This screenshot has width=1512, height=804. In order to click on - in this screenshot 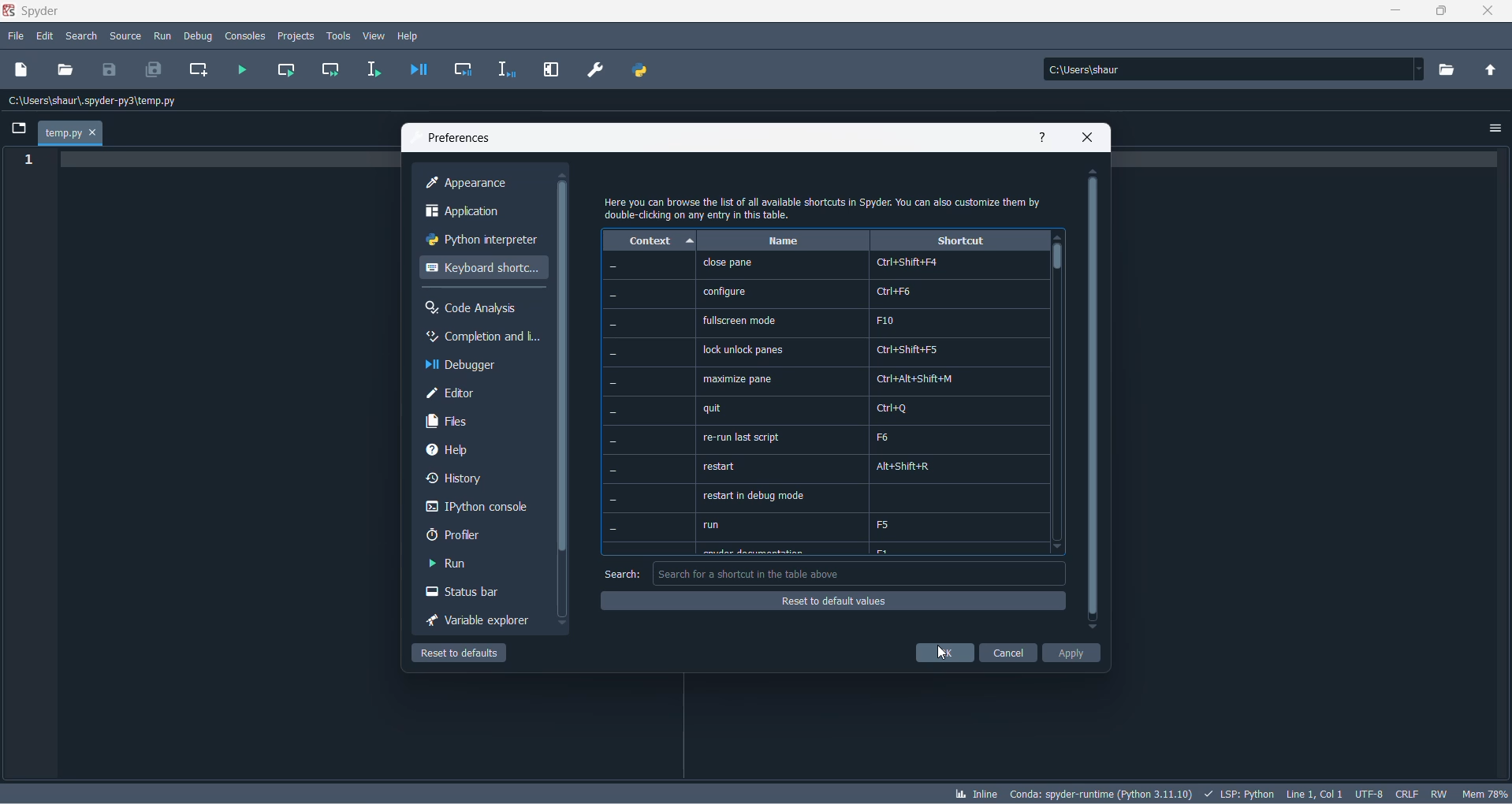, I will do `click(611, 352)`.